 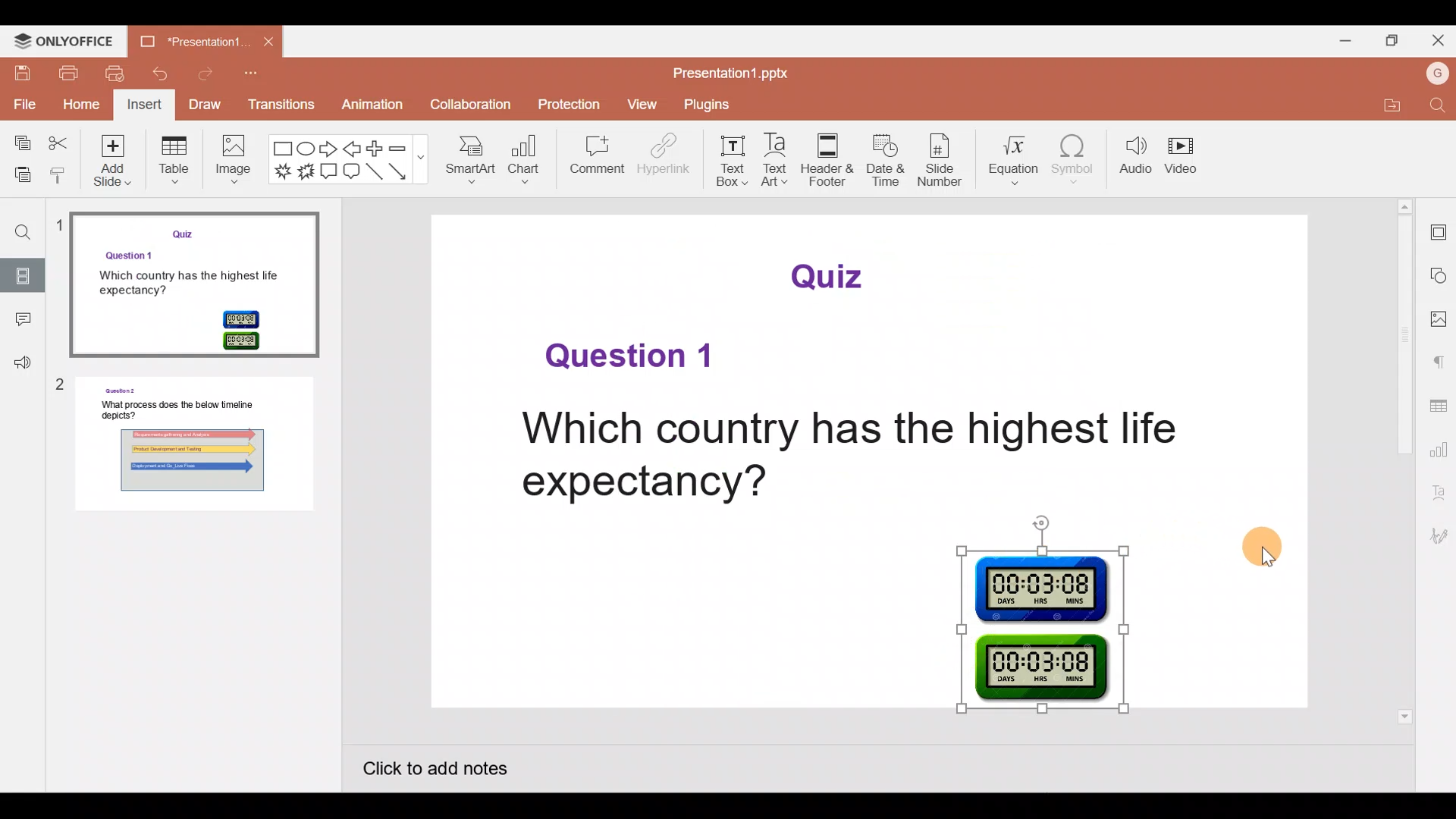 What do you see at coordinates (450, 772) in the screenshot?
I see `Click to add notes` at bounding box center [450, 772].